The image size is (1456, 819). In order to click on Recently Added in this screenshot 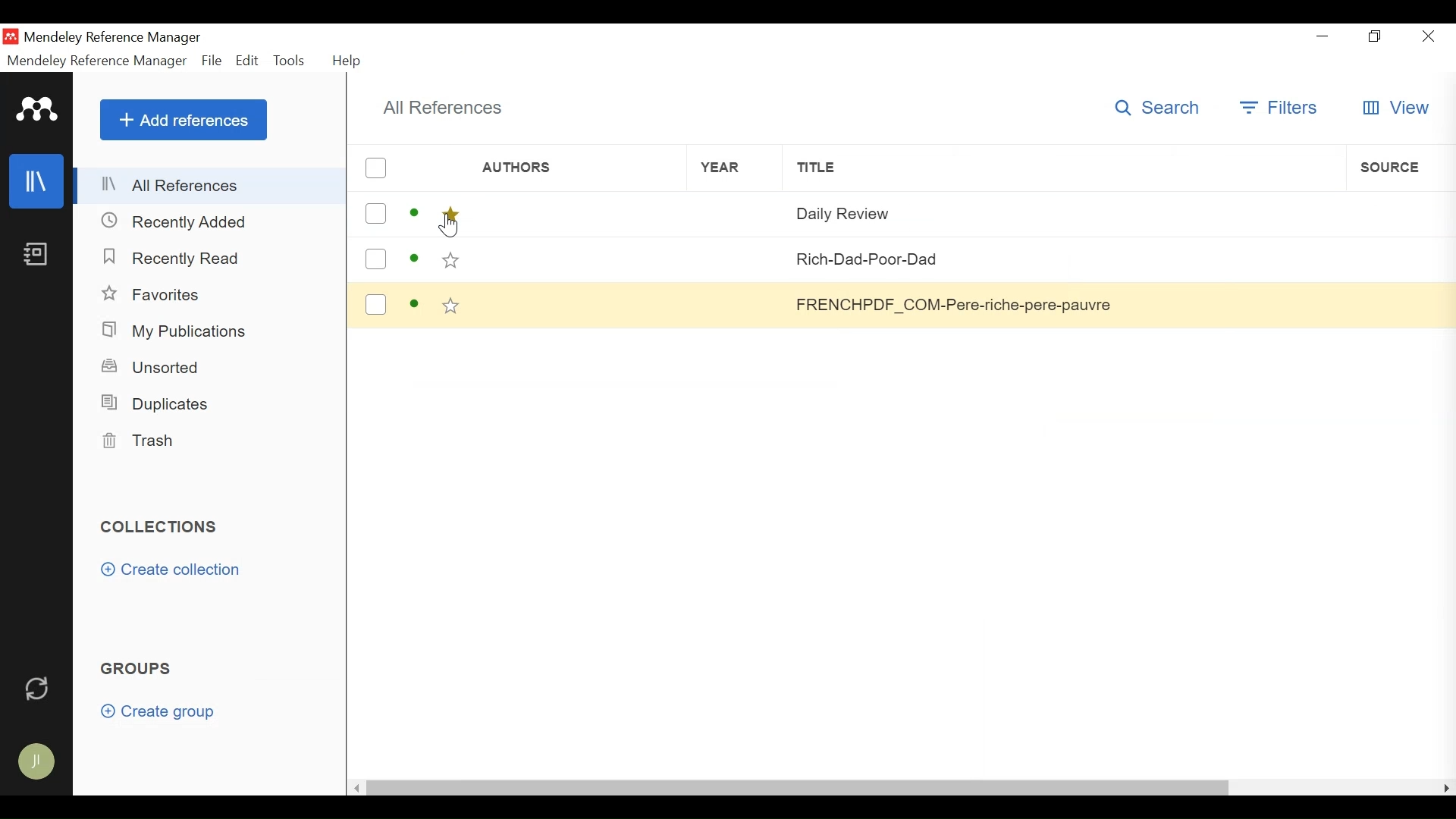, I will do `click(184, 221)`.